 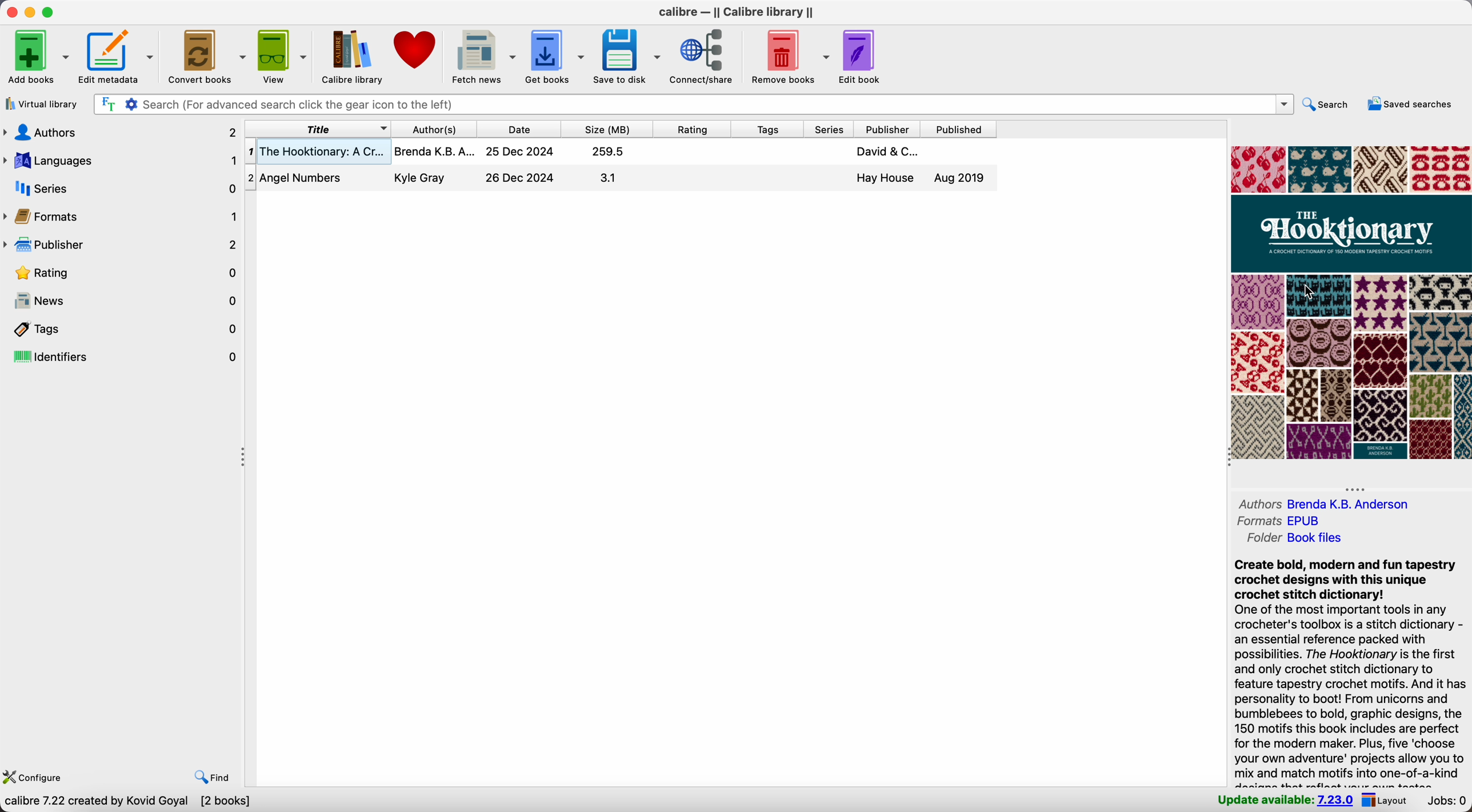 I want to click on size, so click(x=610, y=130).